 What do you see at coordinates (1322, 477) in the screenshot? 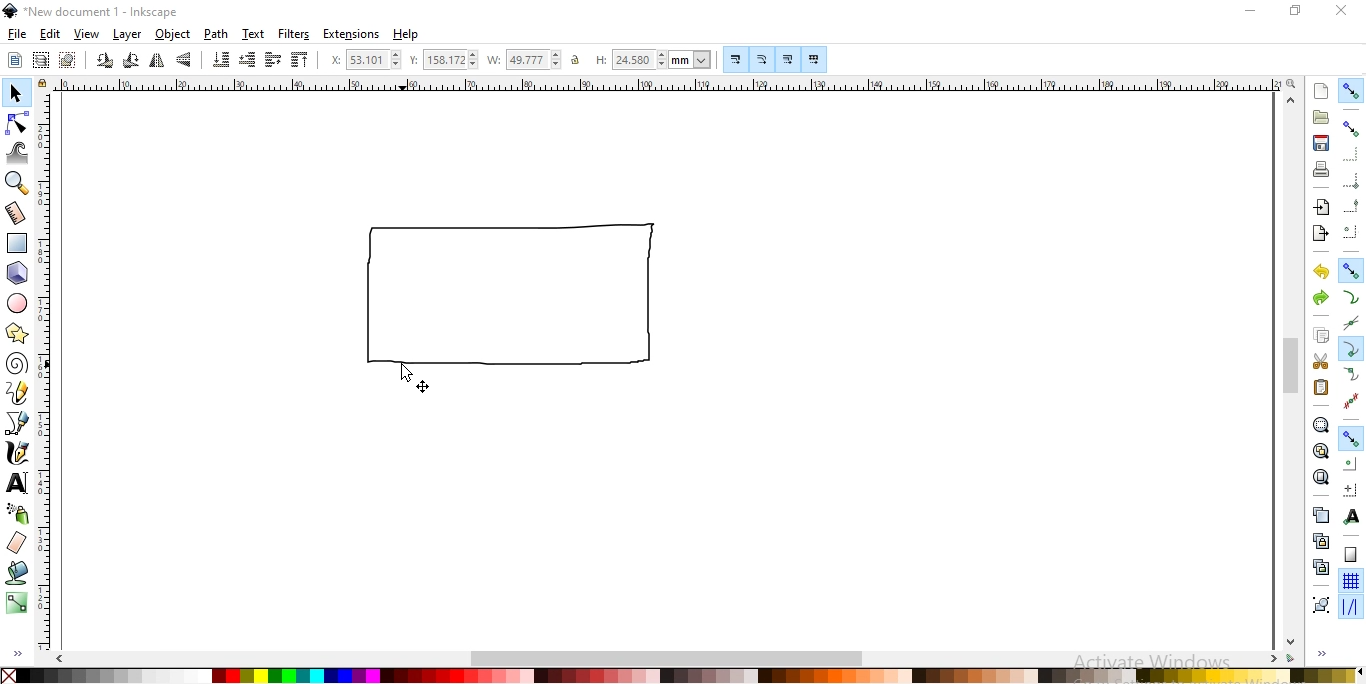
I see `zoom to fit page` at bounding box center [1322, 477].